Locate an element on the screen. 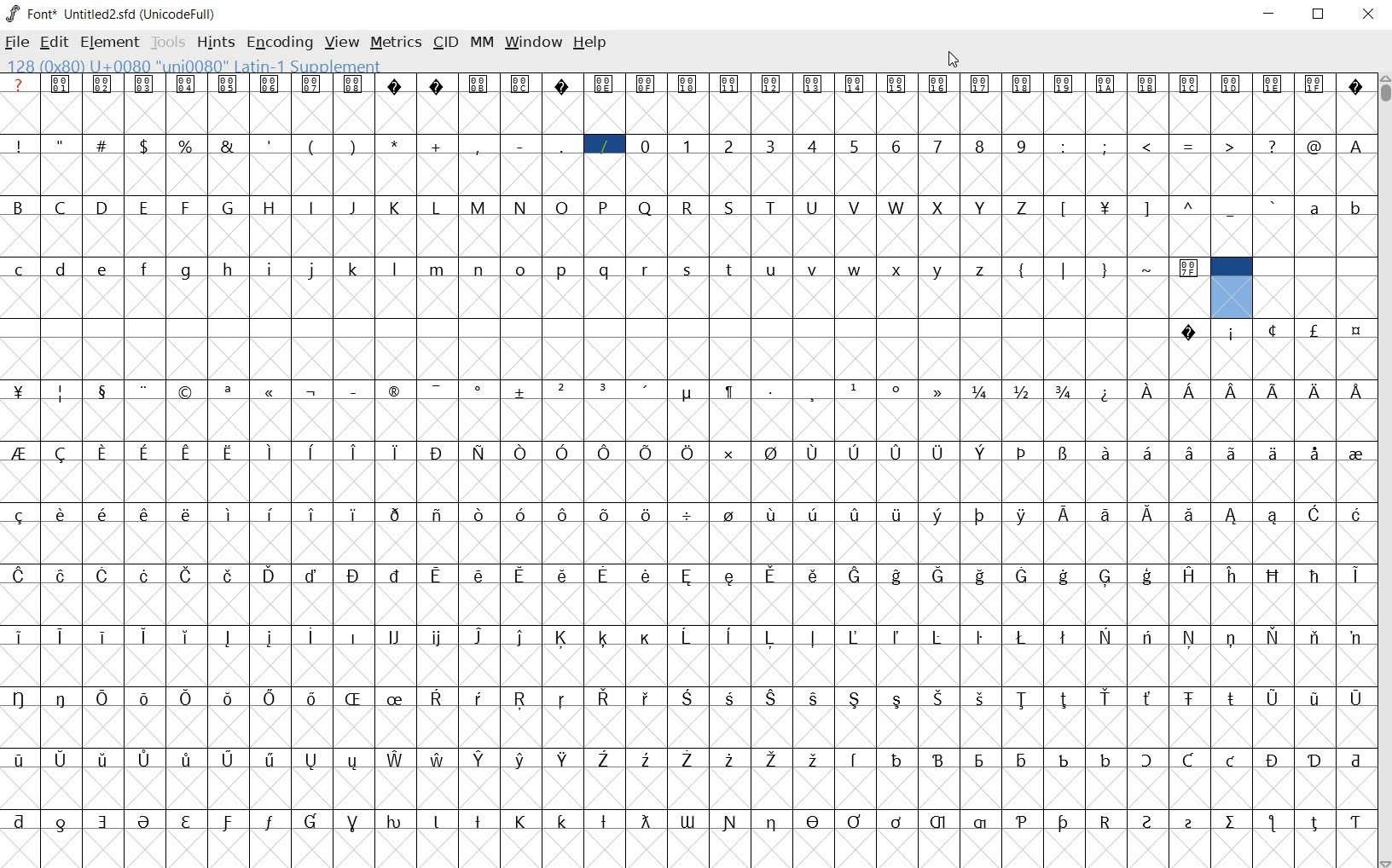  Symbol is located at coordinates (983, 514).